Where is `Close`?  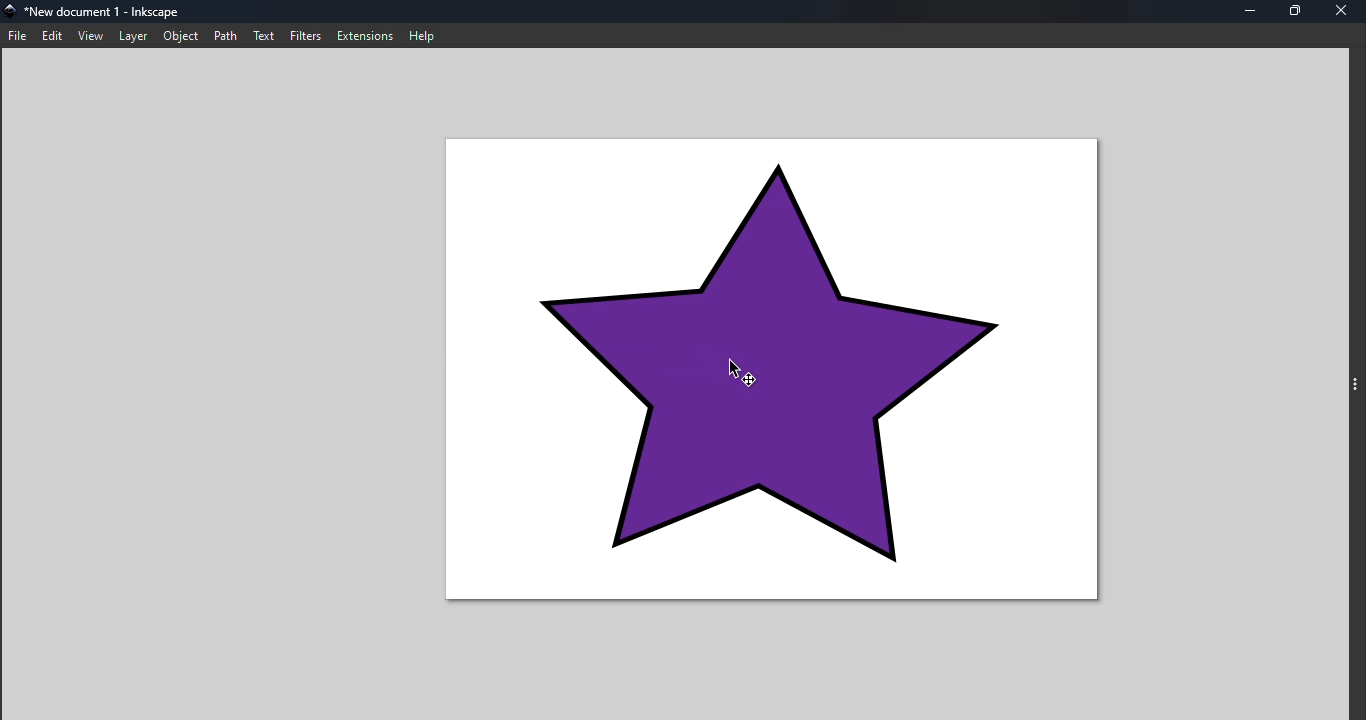 Close is located at coordinates (1343, 12).